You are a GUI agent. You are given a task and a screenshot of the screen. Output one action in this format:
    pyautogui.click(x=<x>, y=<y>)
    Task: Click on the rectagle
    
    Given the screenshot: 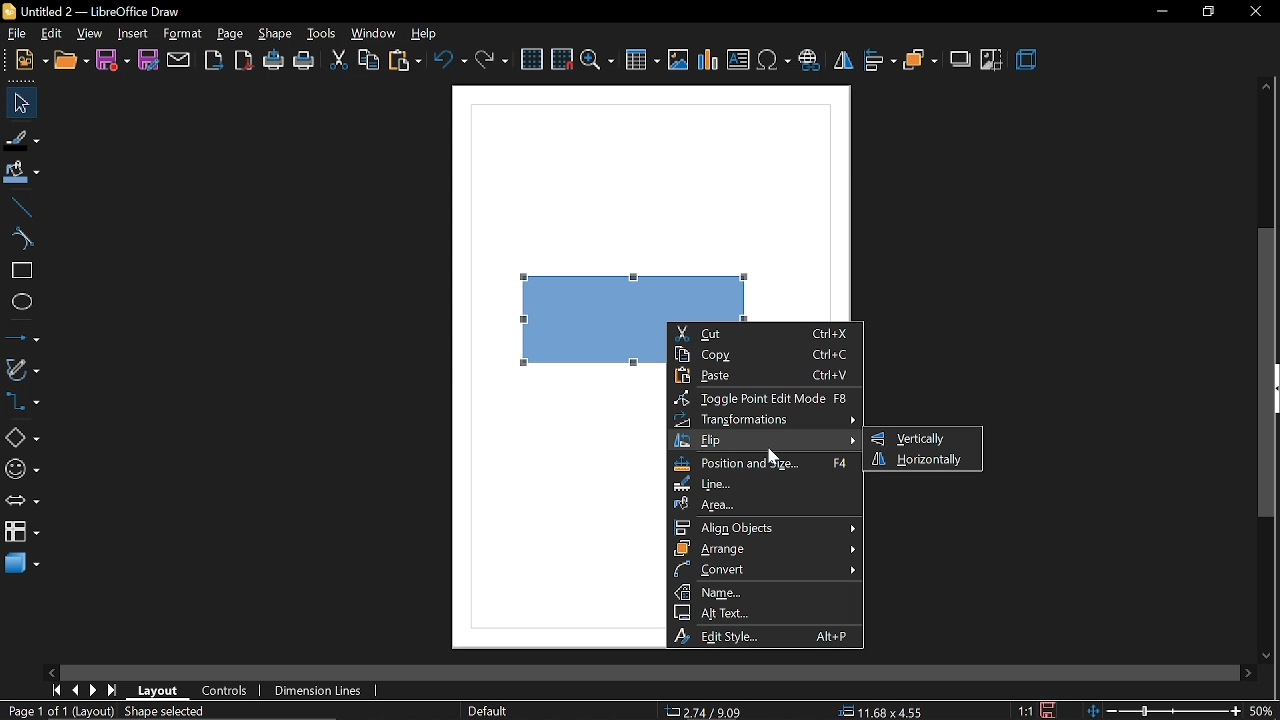 What is the action you would take?
    pyautogui.click(x=19, y=271)
    